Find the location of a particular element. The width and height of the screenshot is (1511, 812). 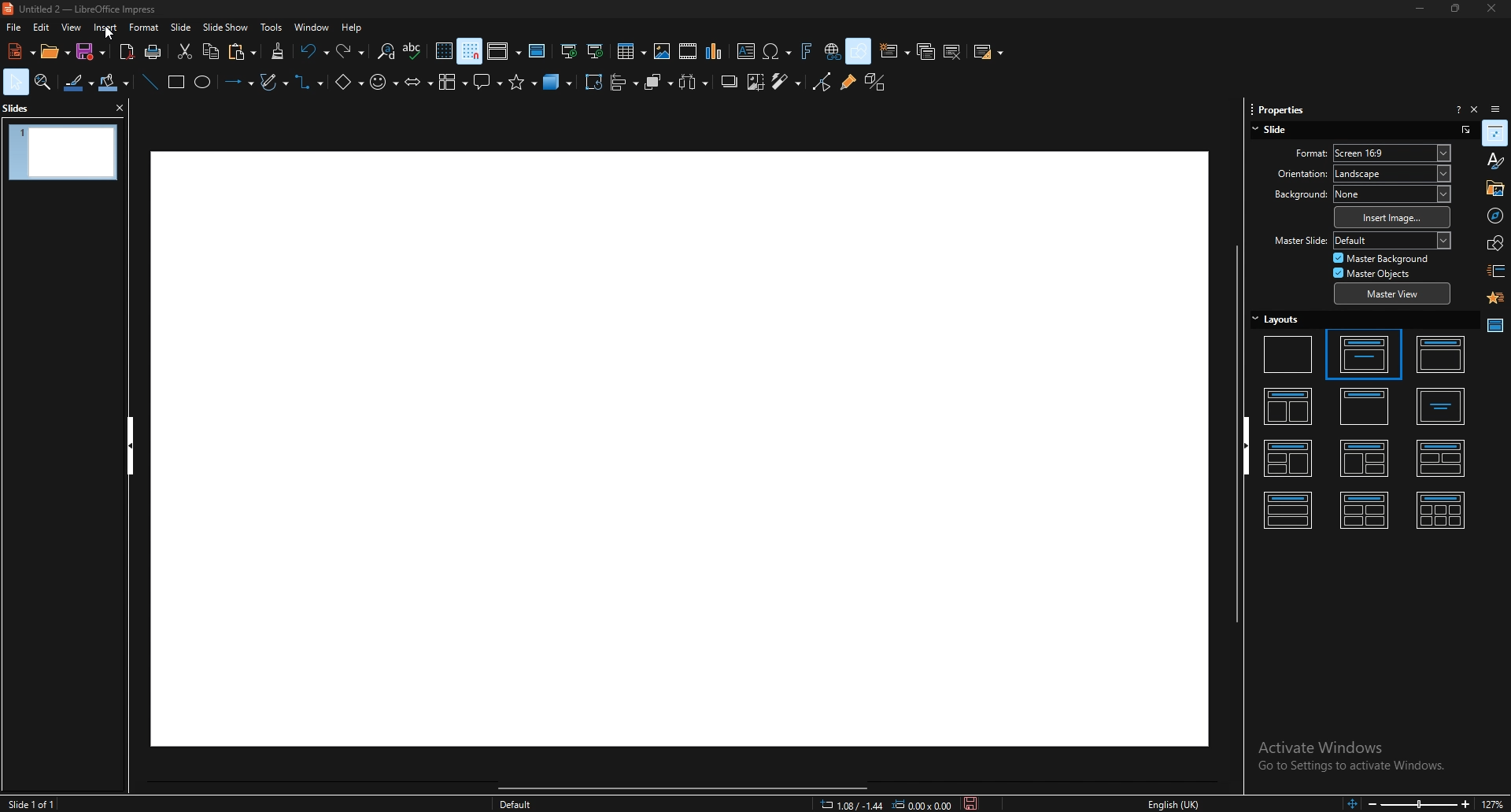

rotate is located at coordinates (593, 83).